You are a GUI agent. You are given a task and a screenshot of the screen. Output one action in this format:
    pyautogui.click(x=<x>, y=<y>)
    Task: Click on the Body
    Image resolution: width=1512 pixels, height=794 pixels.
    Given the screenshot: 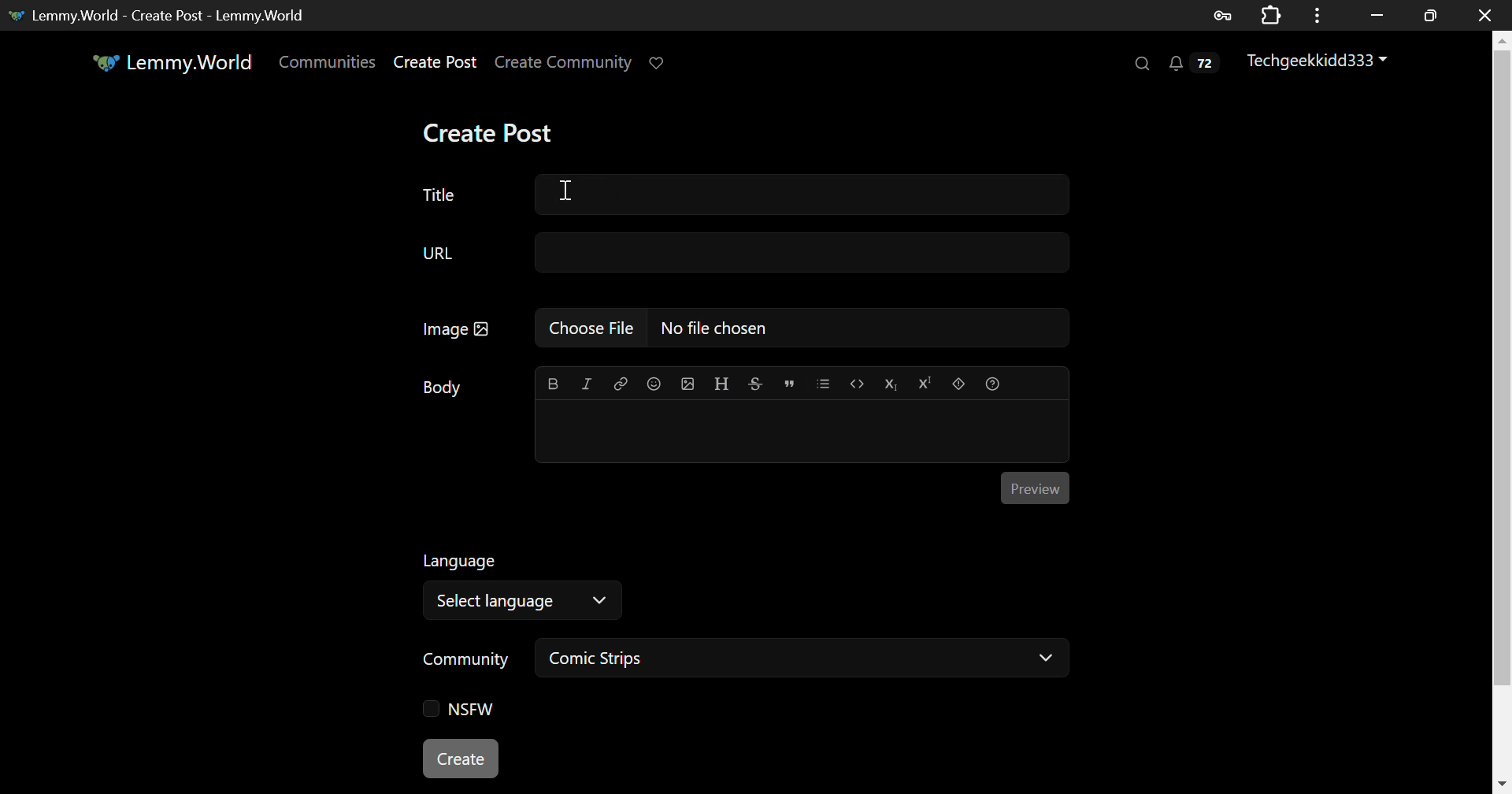 What is the action you would take?
    pyautogui.click(x=443, y=388)
    